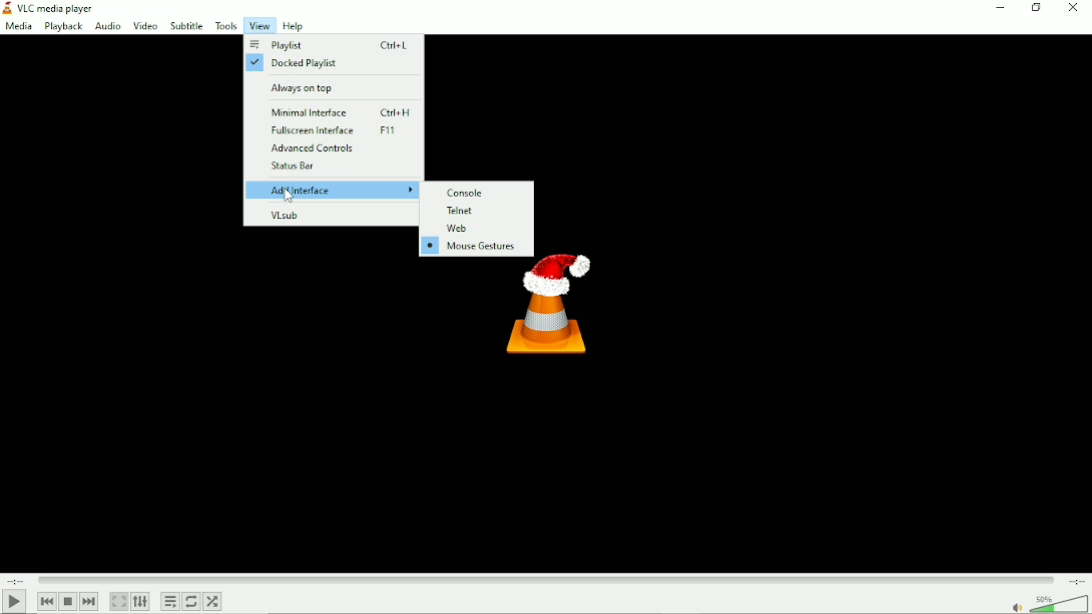 Image resolution: width=1092 pixels, height=614 pixels. What do you see at coordinates (18, 28) in the screenshot?
I see `Media` at bounding box center [18, 28].